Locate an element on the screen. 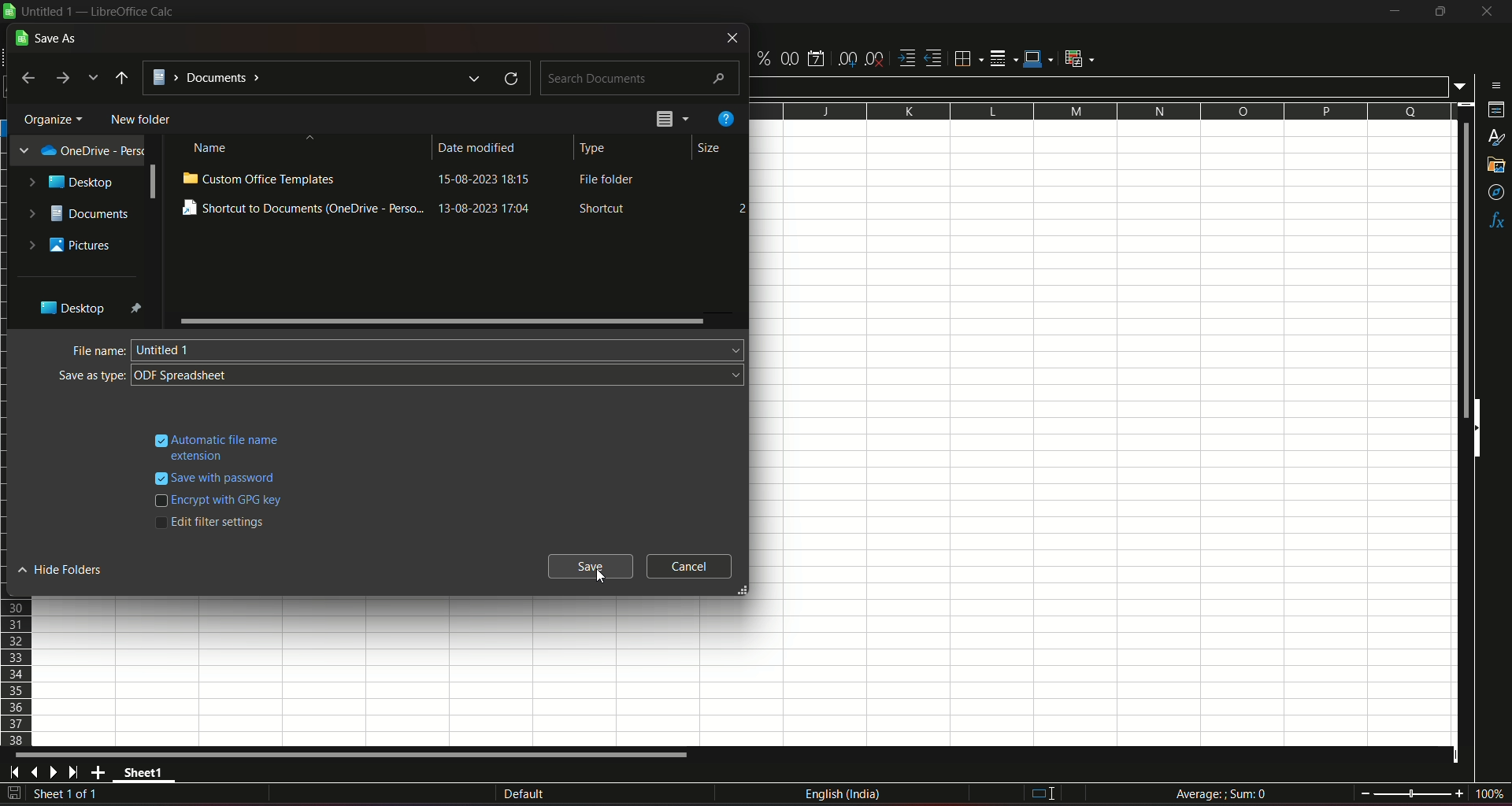 The height and width of the screenshot is (806, 1512). format as percent is located at coordinates (762, 59).